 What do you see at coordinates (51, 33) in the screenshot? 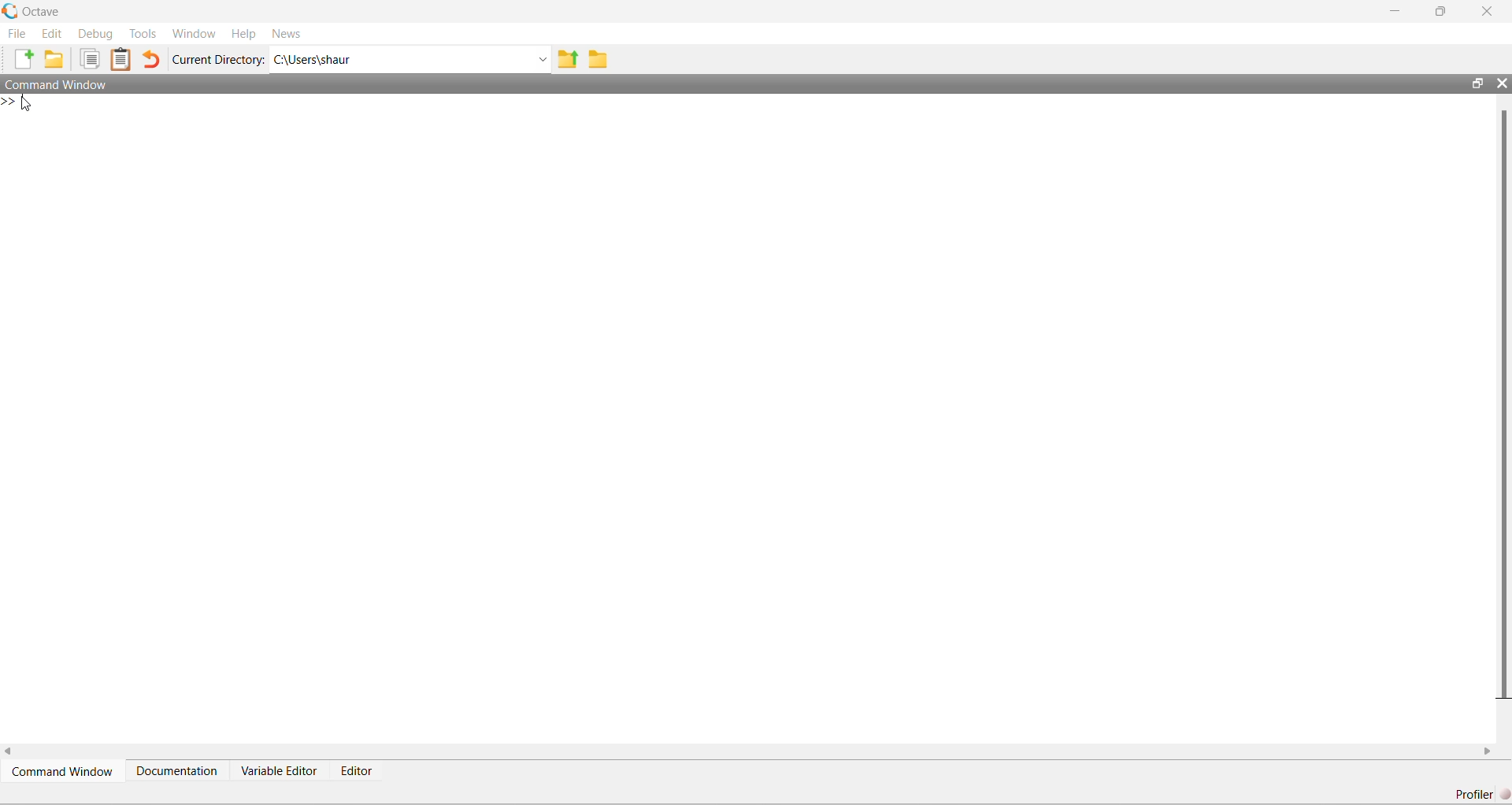
I see `Edit` at bounding box center [51, 33].